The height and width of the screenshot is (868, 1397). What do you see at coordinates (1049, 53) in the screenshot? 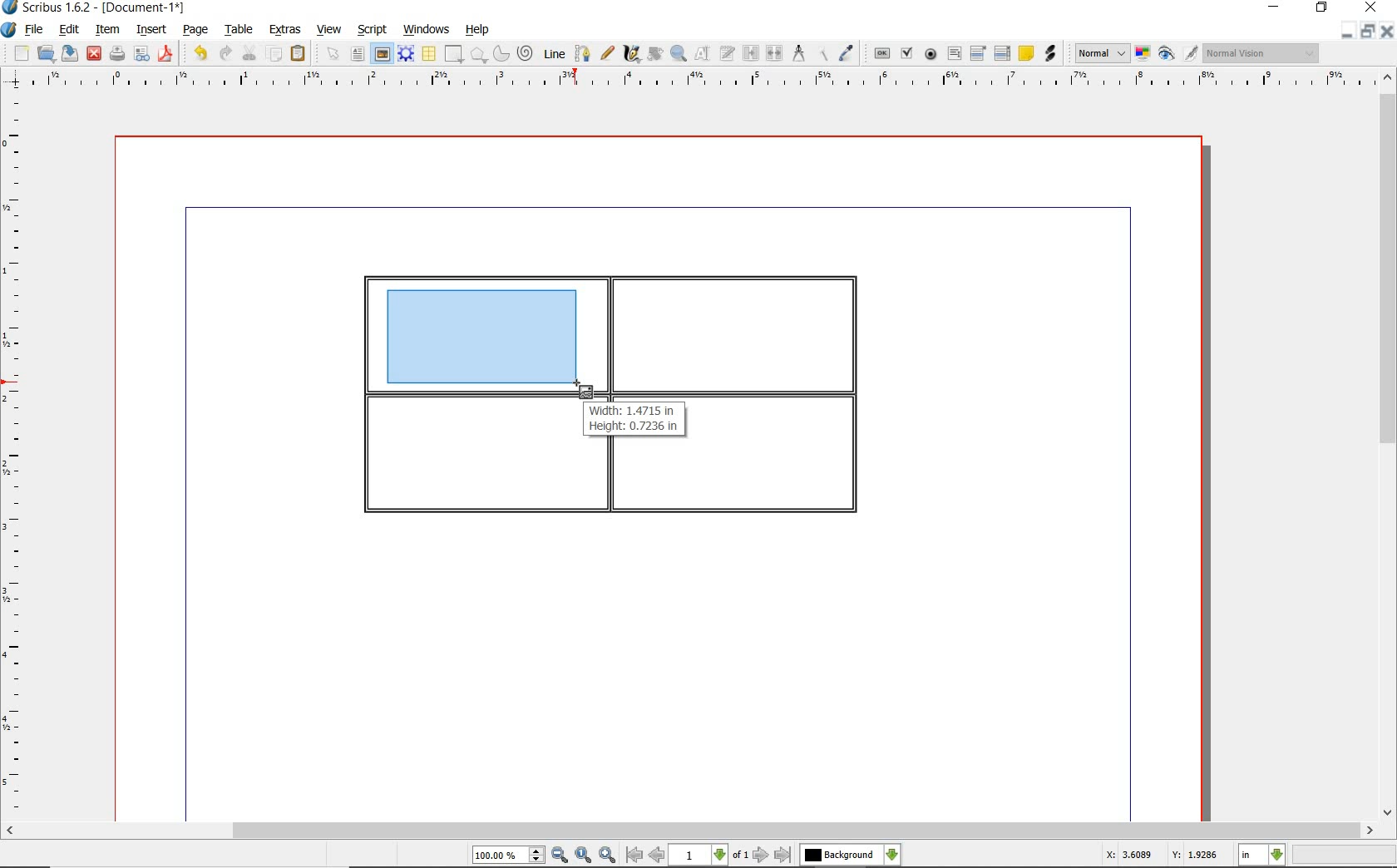
I see `link annotation` at bounding box center [1049, 53].